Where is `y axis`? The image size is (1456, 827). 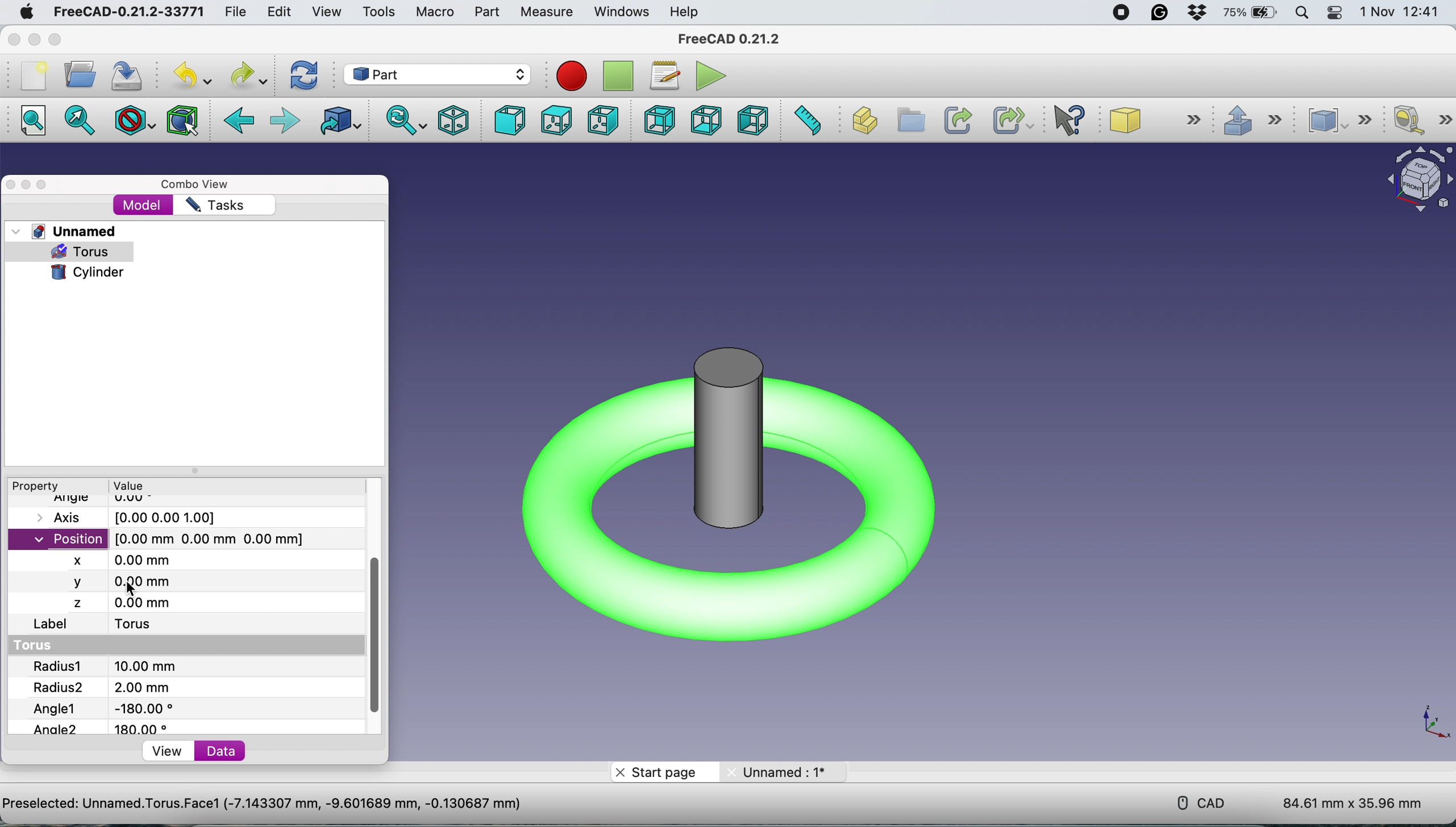 y axis is located at coordinates (128, 580).